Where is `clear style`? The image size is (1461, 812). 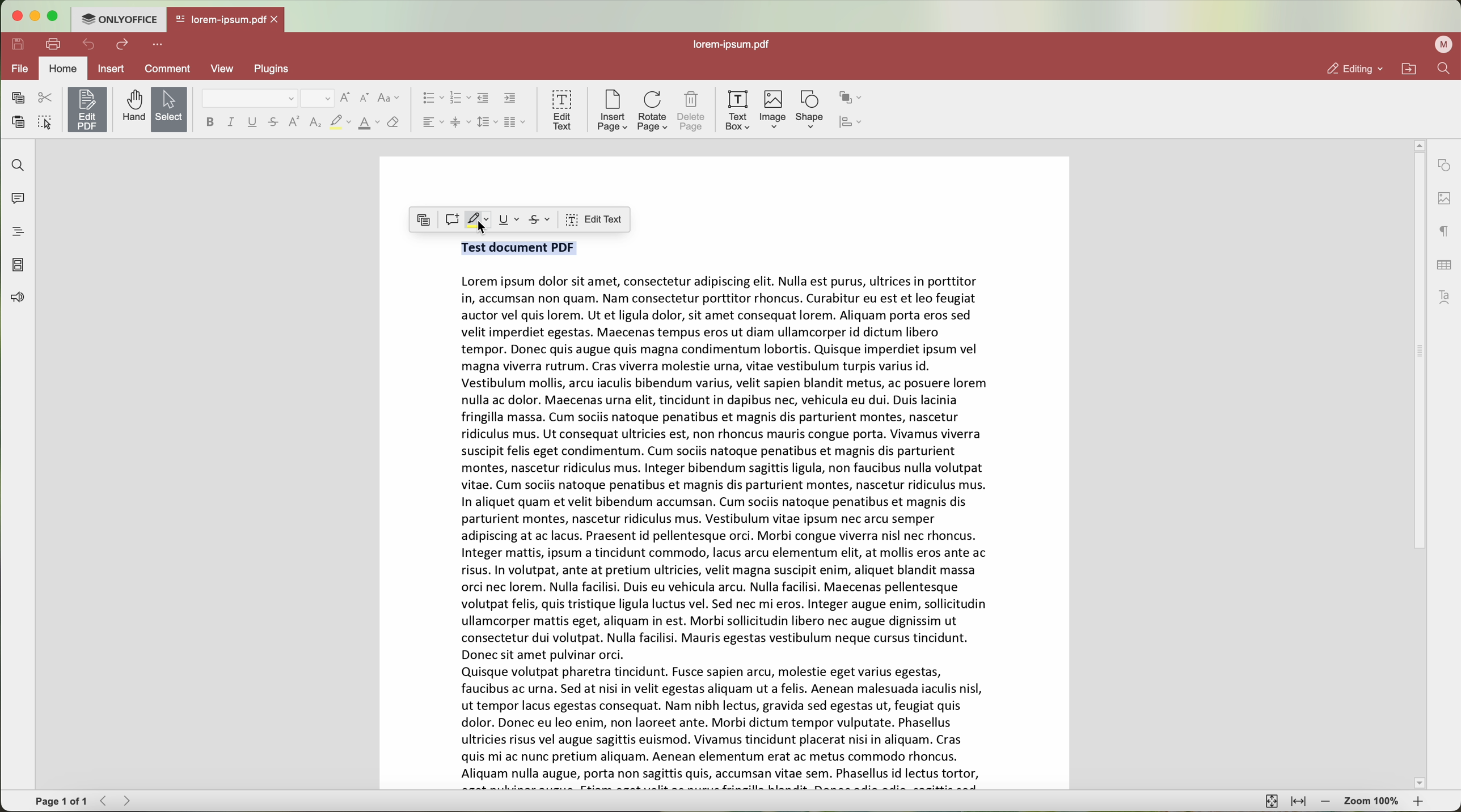 clear style is located at coordinates (395, 122).